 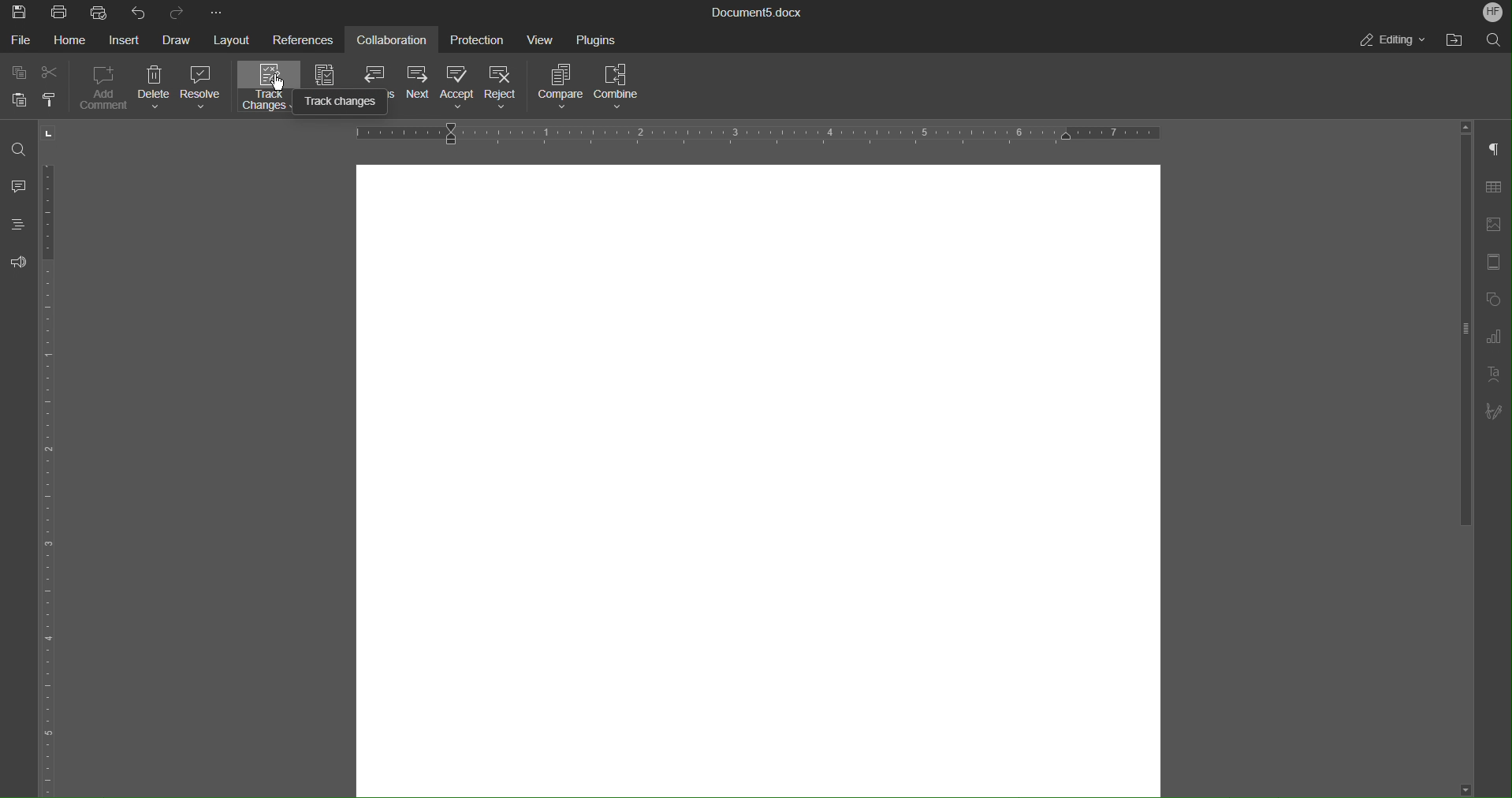 I want to click on Table Settings, so click(x=1492, y=188).